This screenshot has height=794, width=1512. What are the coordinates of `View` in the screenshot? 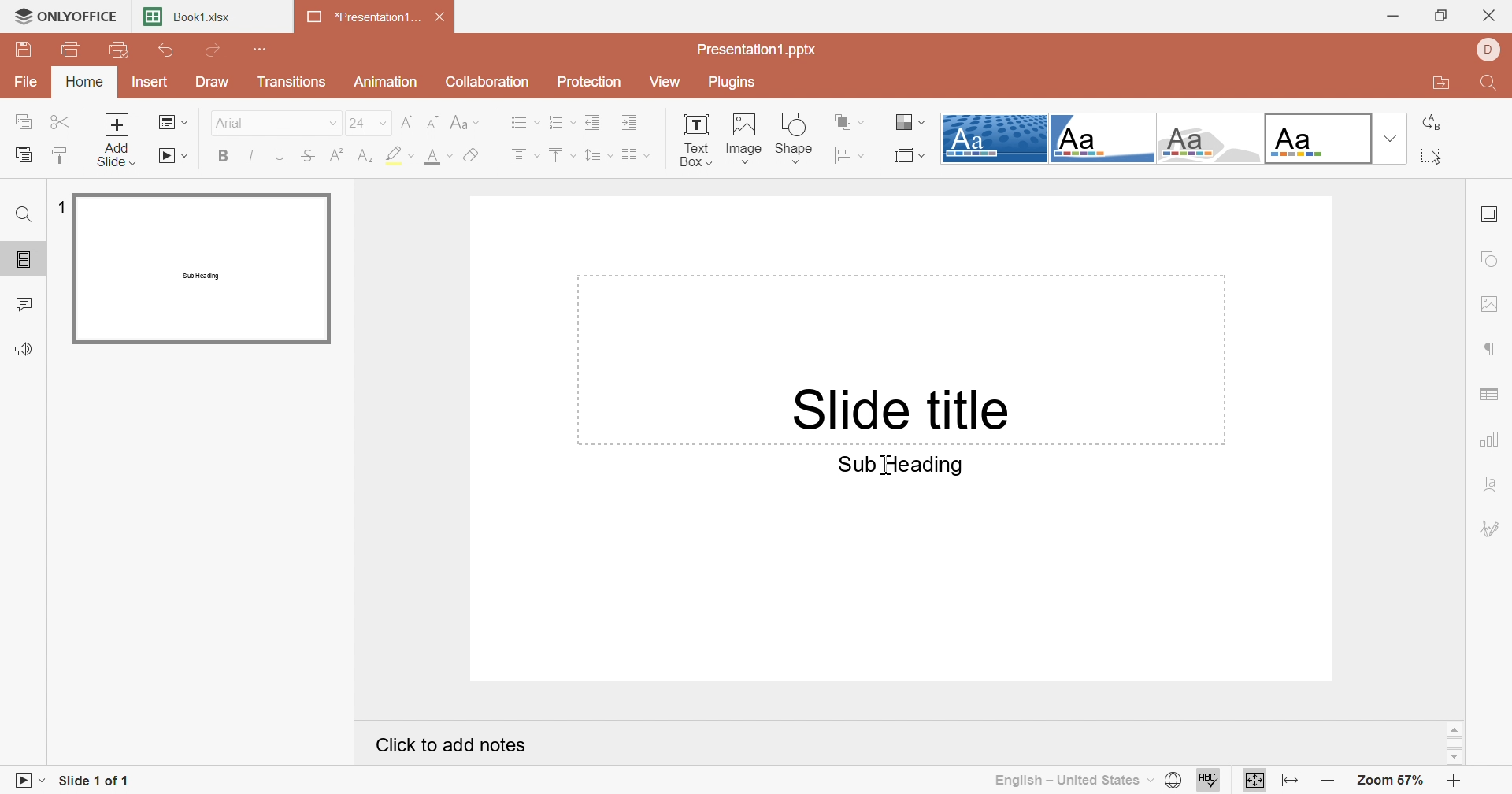 It's located at (669, 80).